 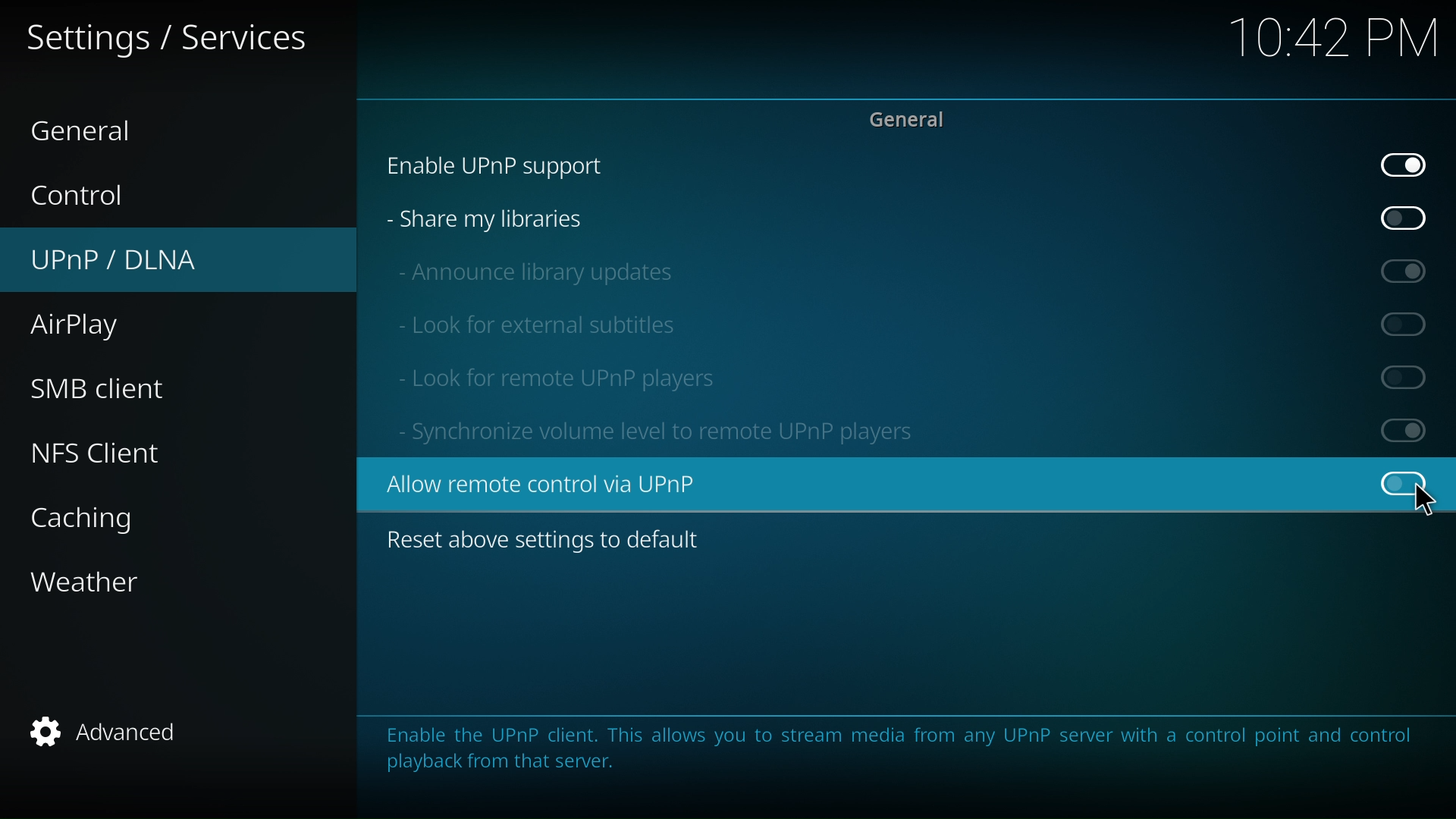 I want to click on caching, so click(x=95, y=520).